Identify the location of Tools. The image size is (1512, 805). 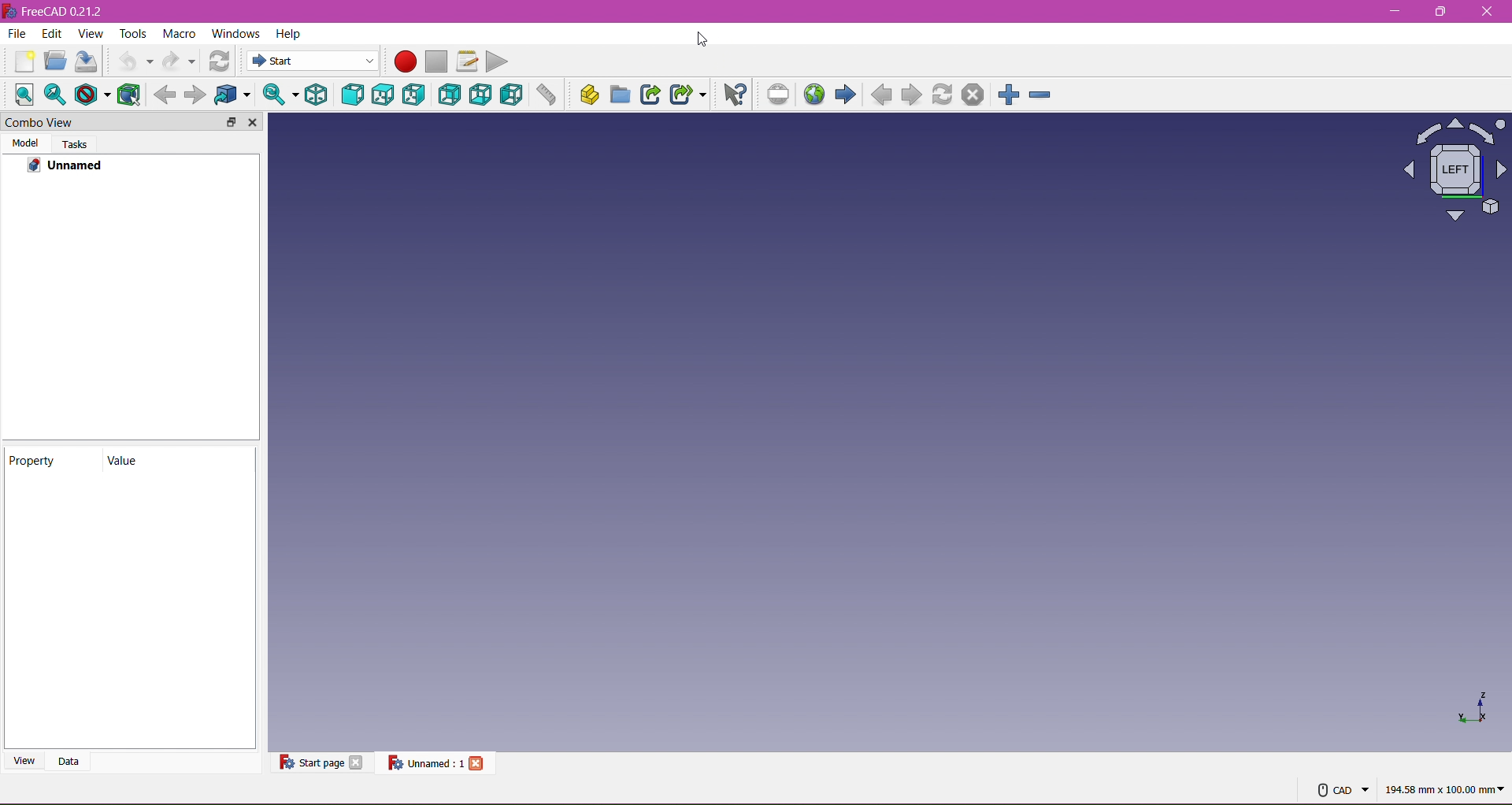
(134, 32).